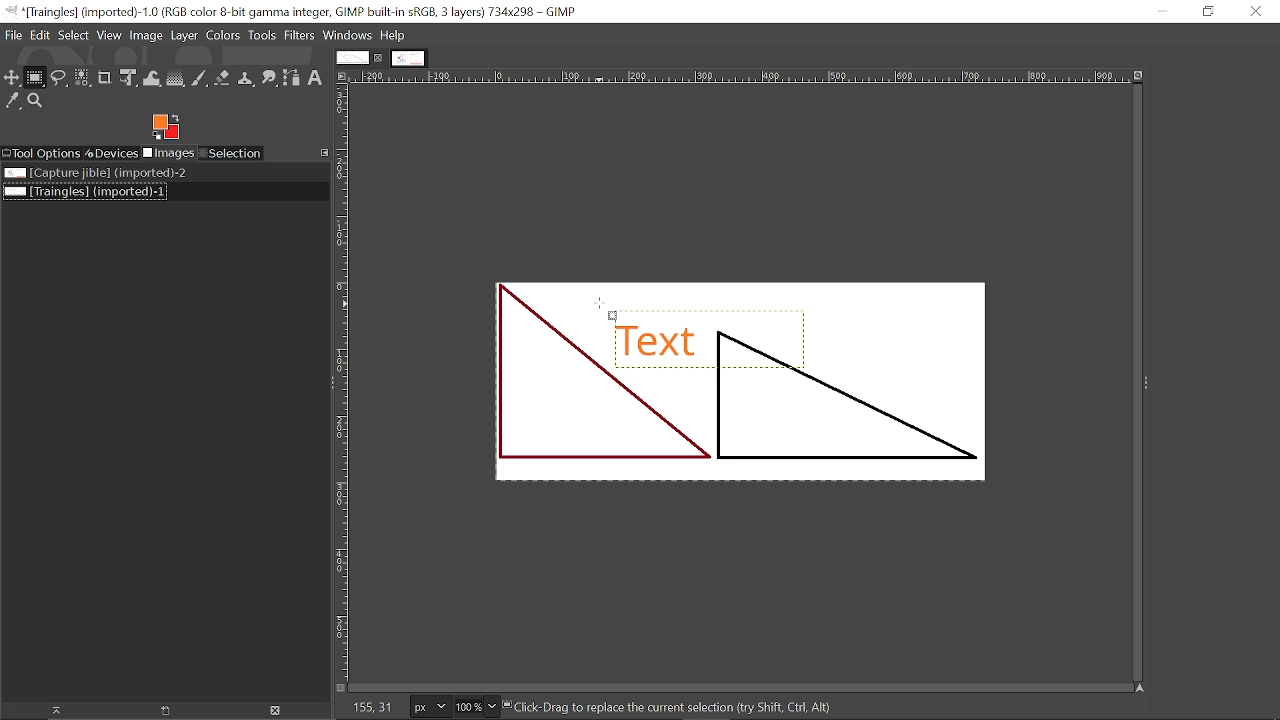 This screenshot has height=720, width=1280. What do you see at coordinates (106, 79) in the screenshot?
I see `Crop tool` at bounding box center [106, 79].